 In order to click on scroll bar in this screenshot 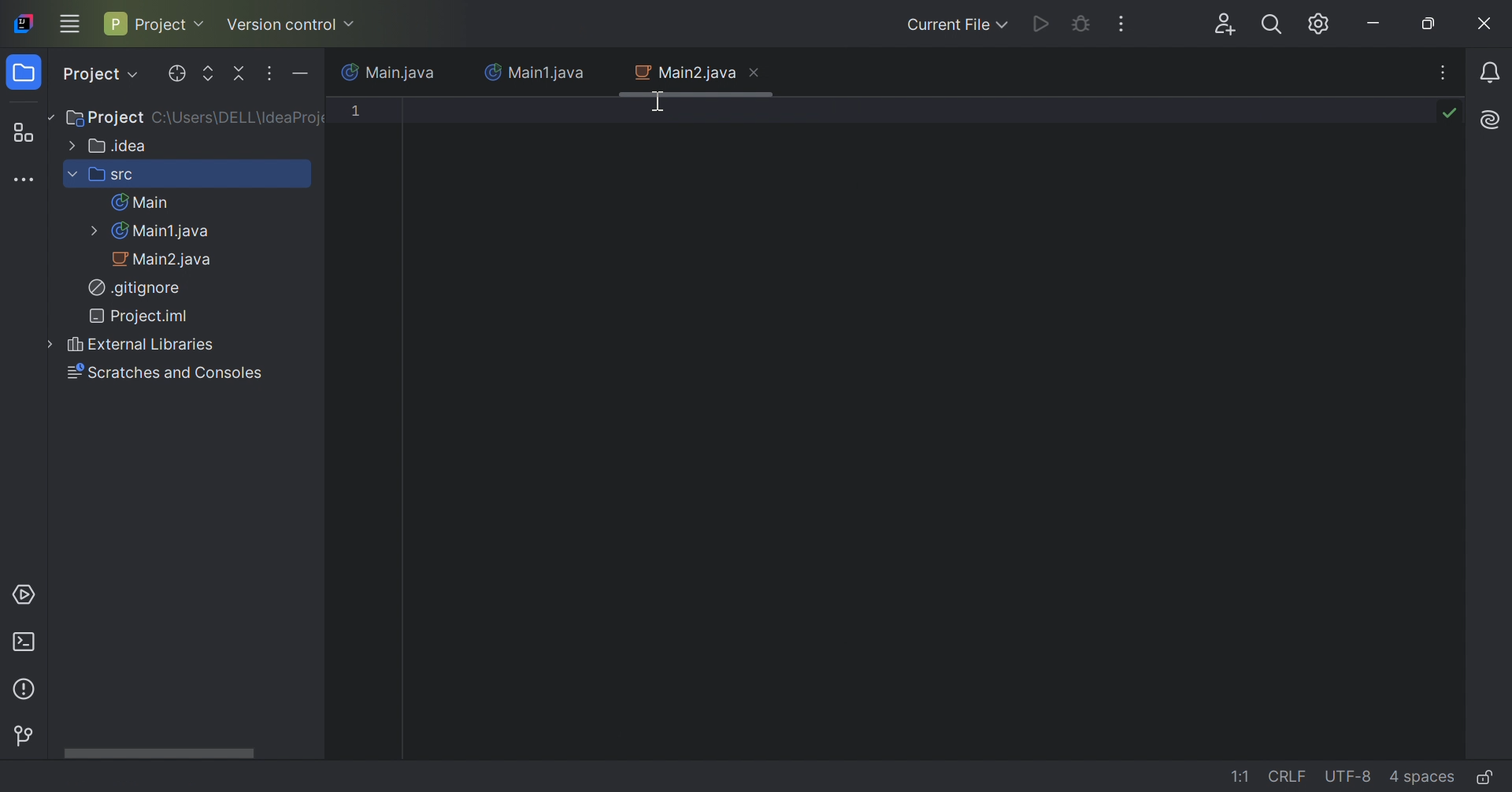, I will do `click(162, 749)`.